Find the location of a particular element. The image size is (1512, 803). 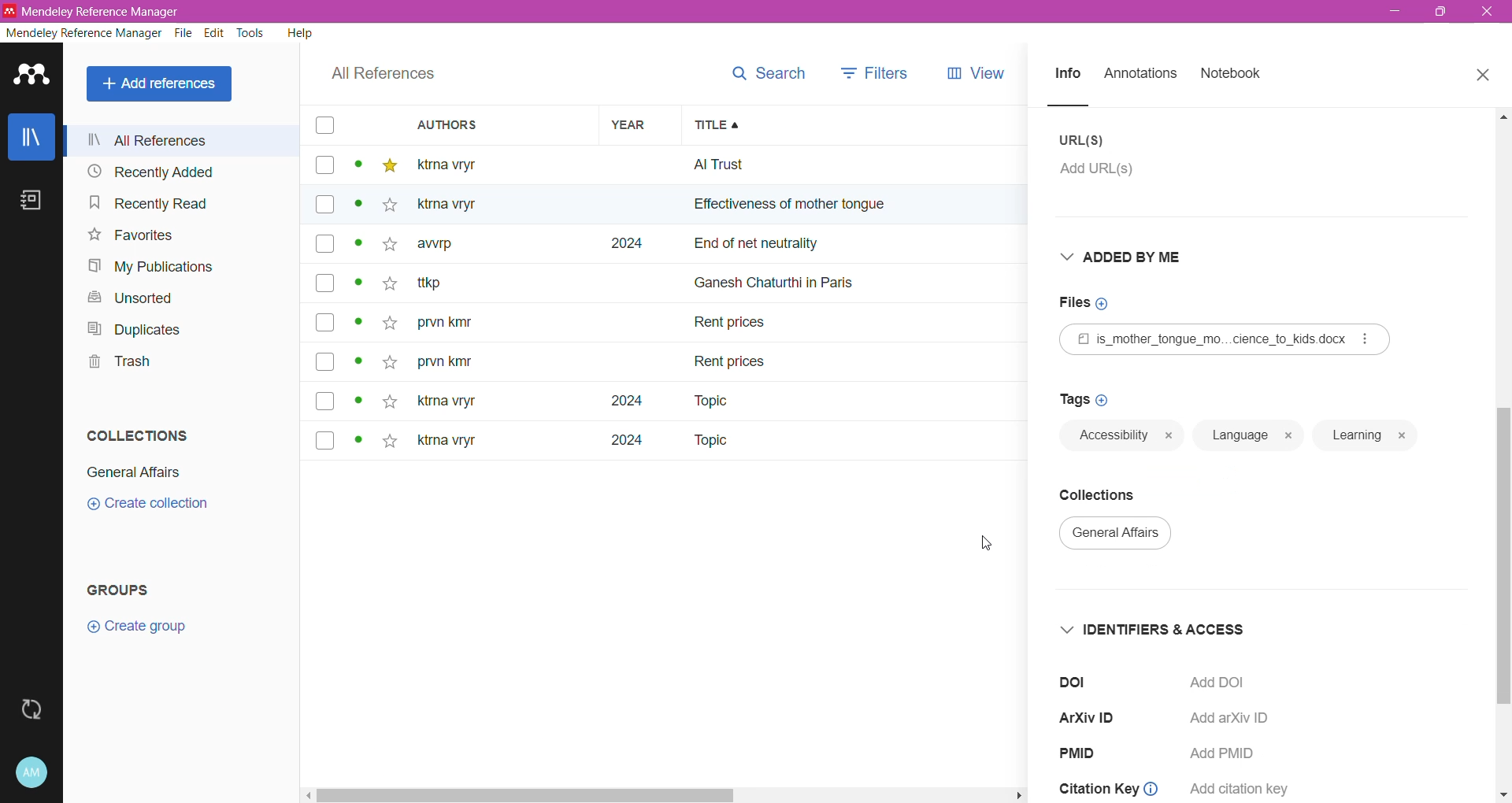

Unsorted is located at coordinates (136, 299).